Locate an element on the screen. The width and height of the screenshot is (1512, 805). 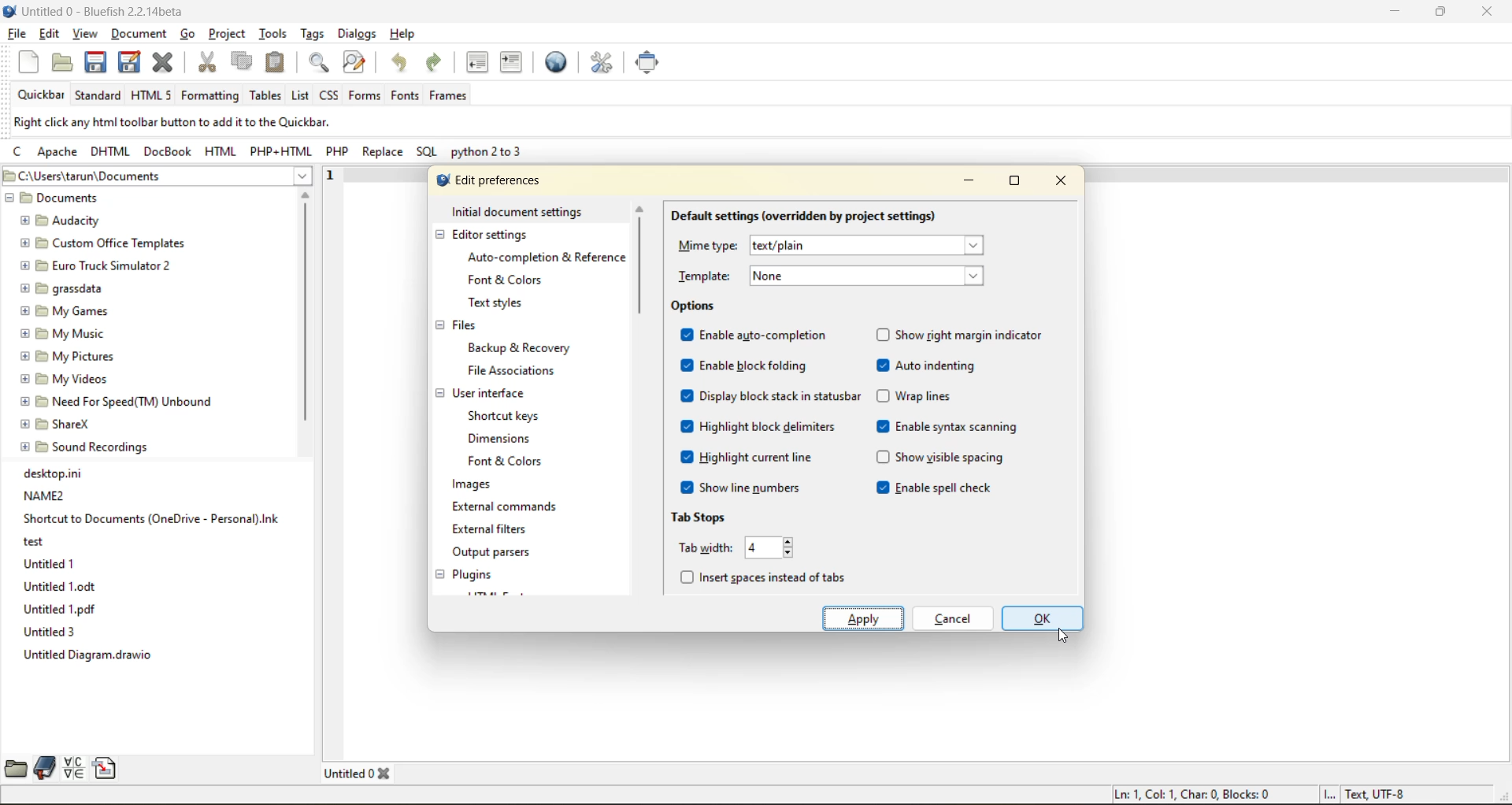
forms is located at coordinates (363, 95).